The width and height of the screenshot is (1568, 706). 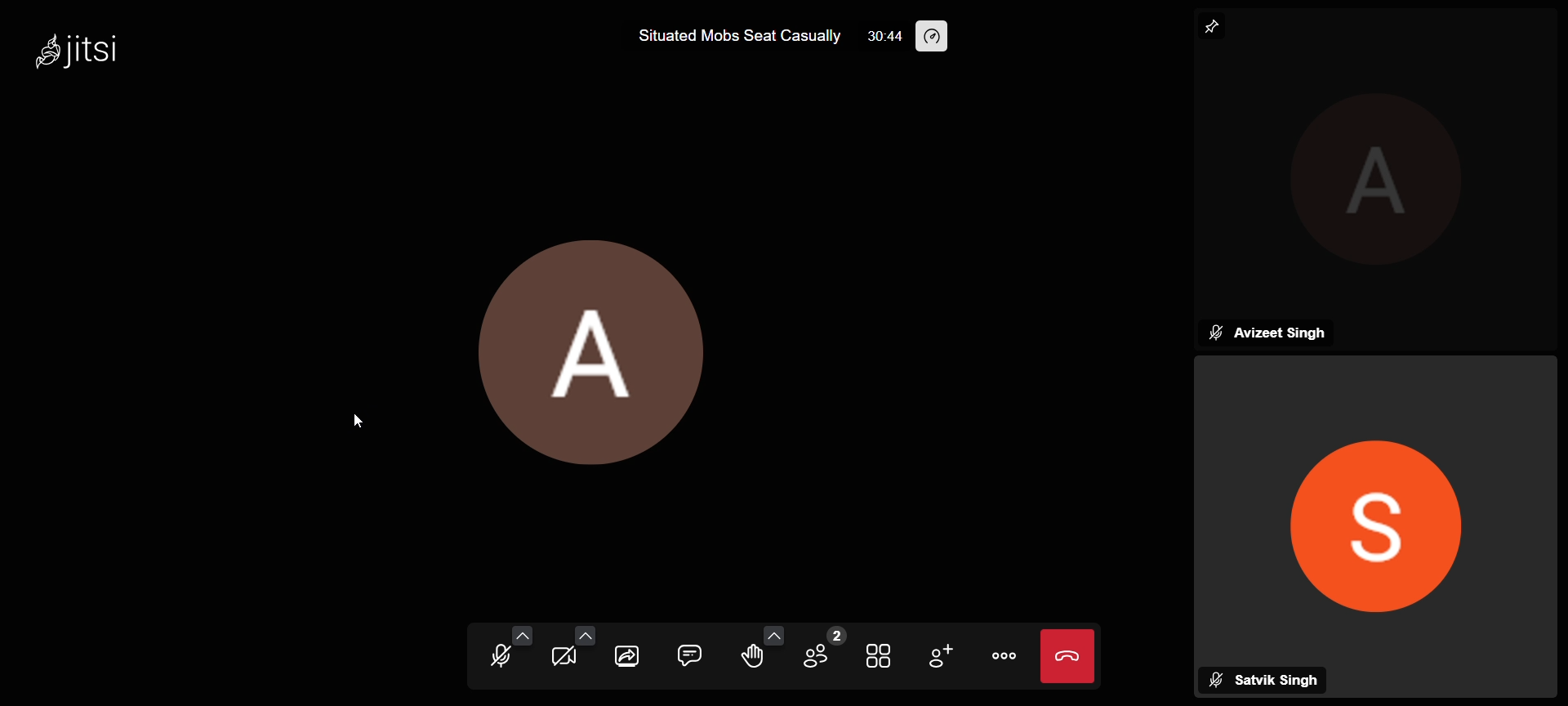 I want to click on satvik singh, so click(x=1268, y=678).